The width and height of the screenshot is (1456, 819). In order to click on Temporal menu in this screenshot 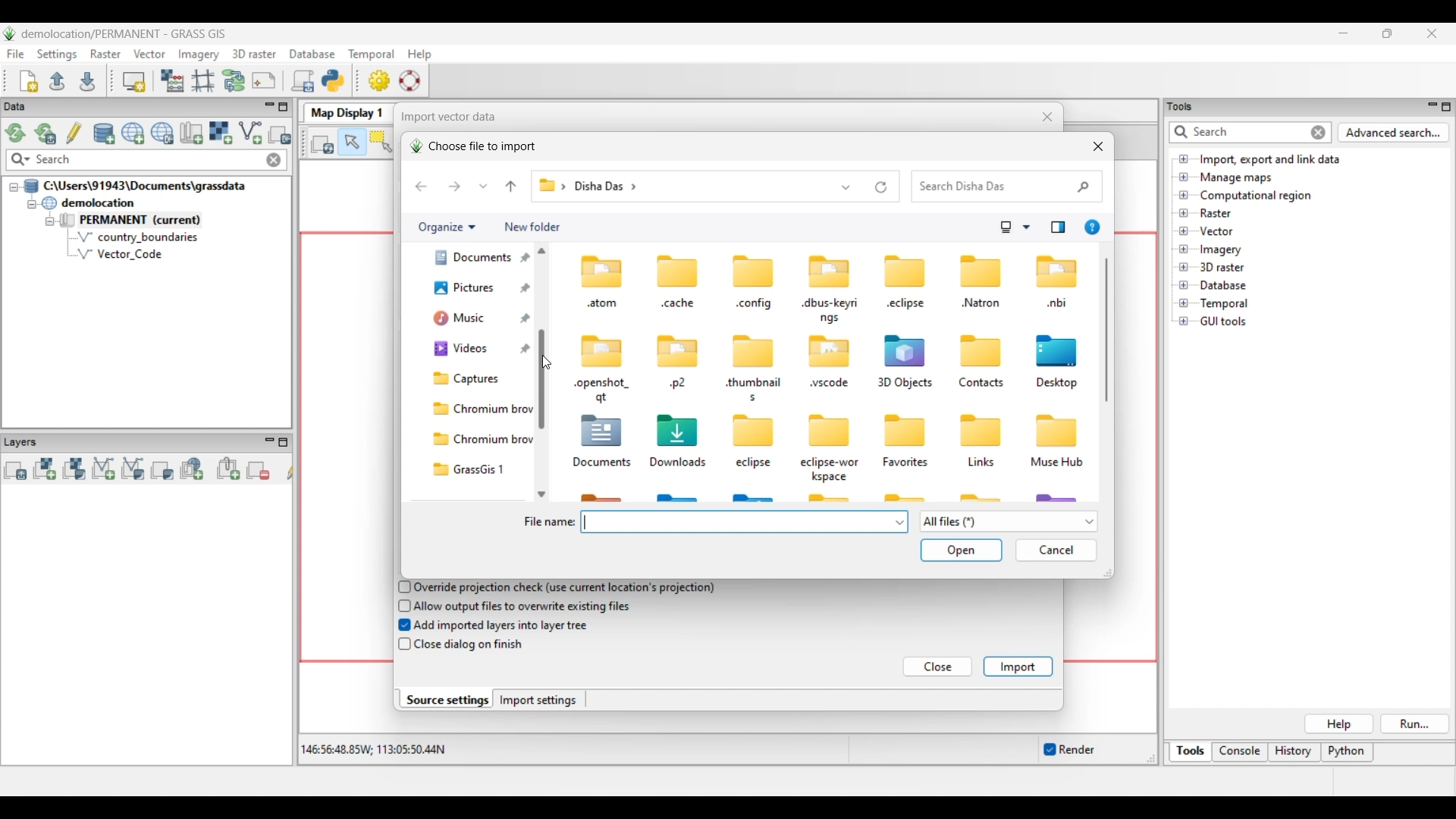, I will do `click(371, 55)`.